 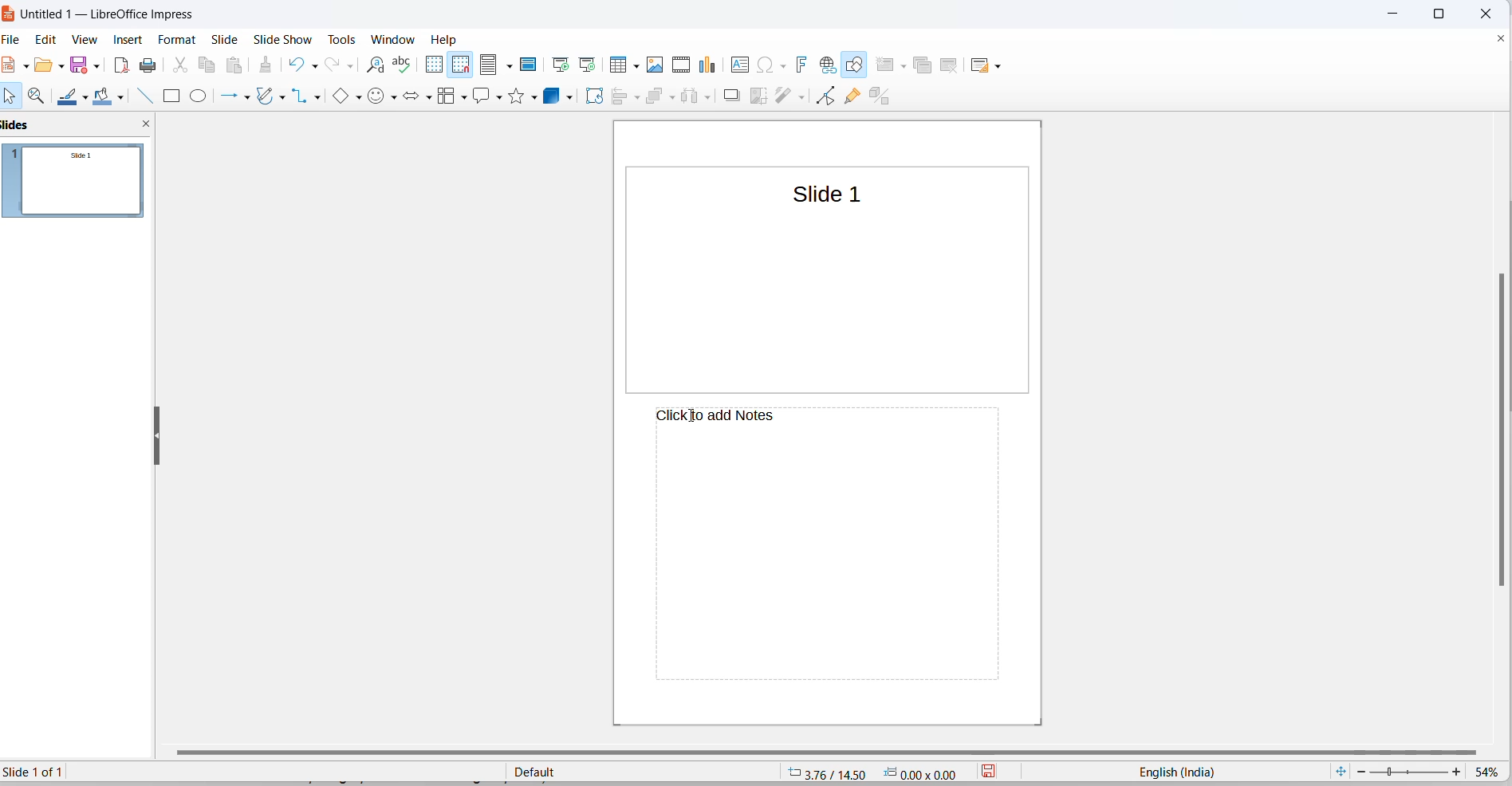 I want to click on 3d objects, so click(x=562, y=94).